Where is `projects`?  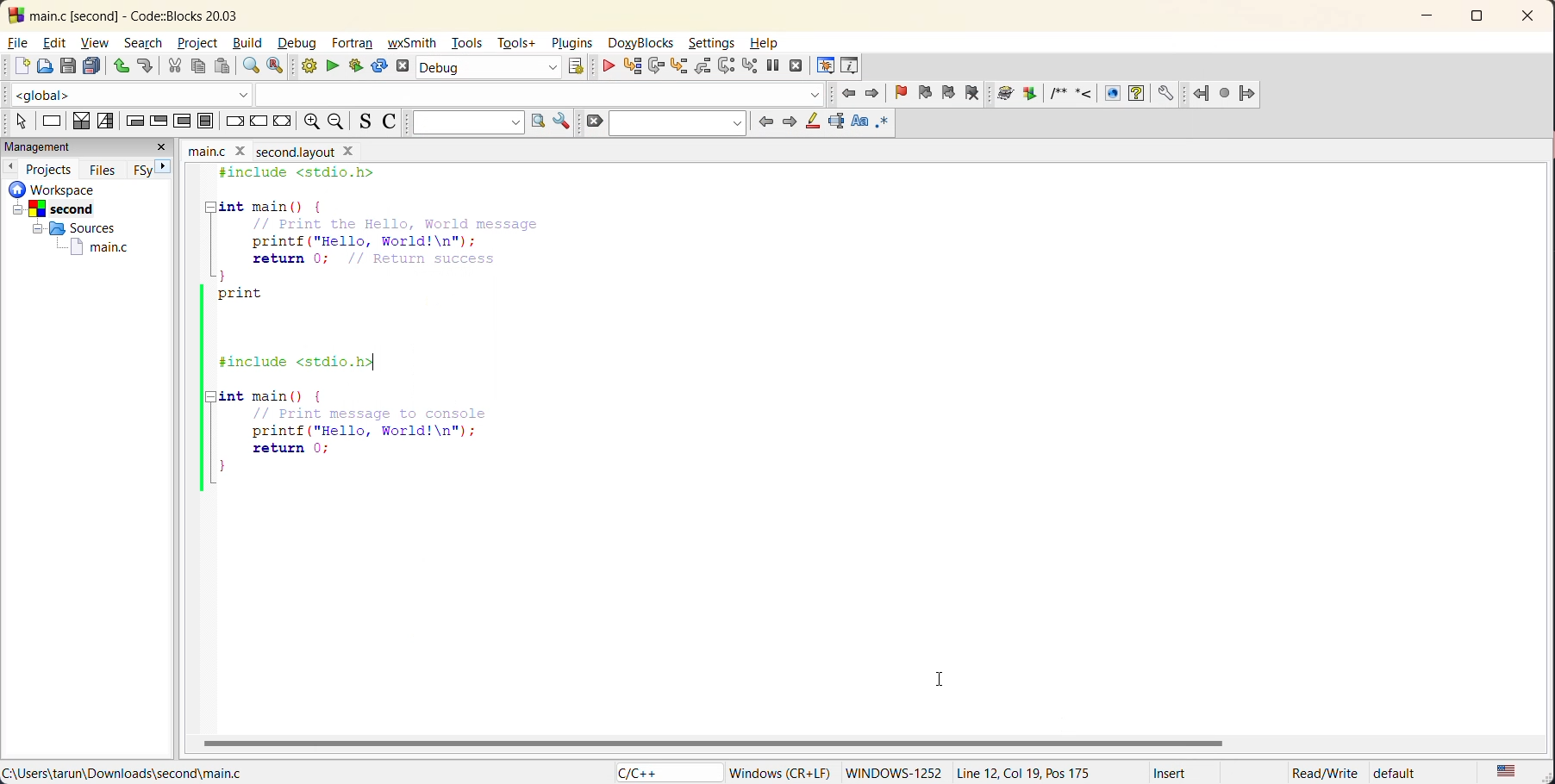
projects is located at coordinates (50, 169).